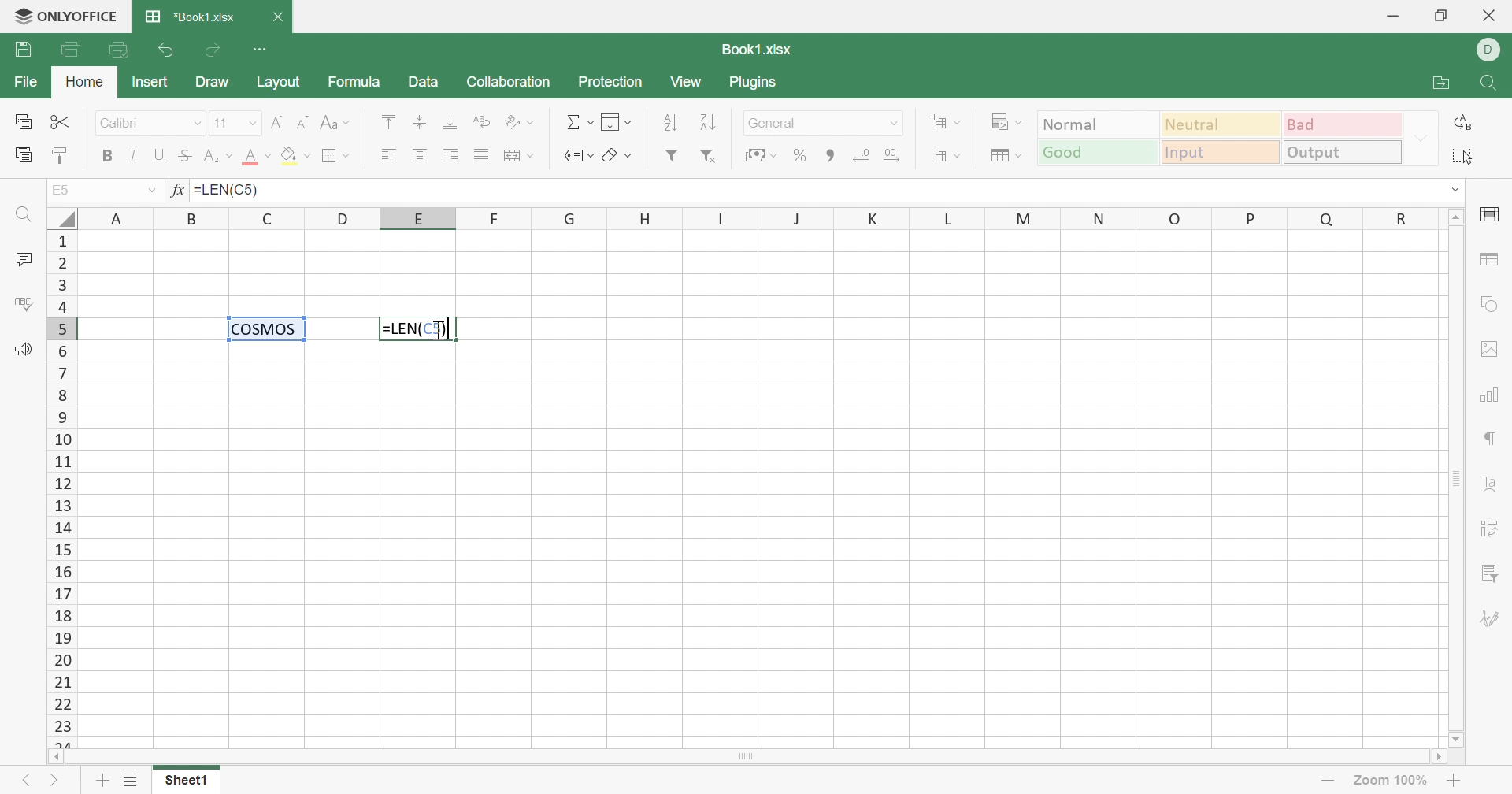 The height and width of the screenshot is (794, 1512). Describe the element at coordinates (1491, 17) in the screenshot. I see `Close` at that location.